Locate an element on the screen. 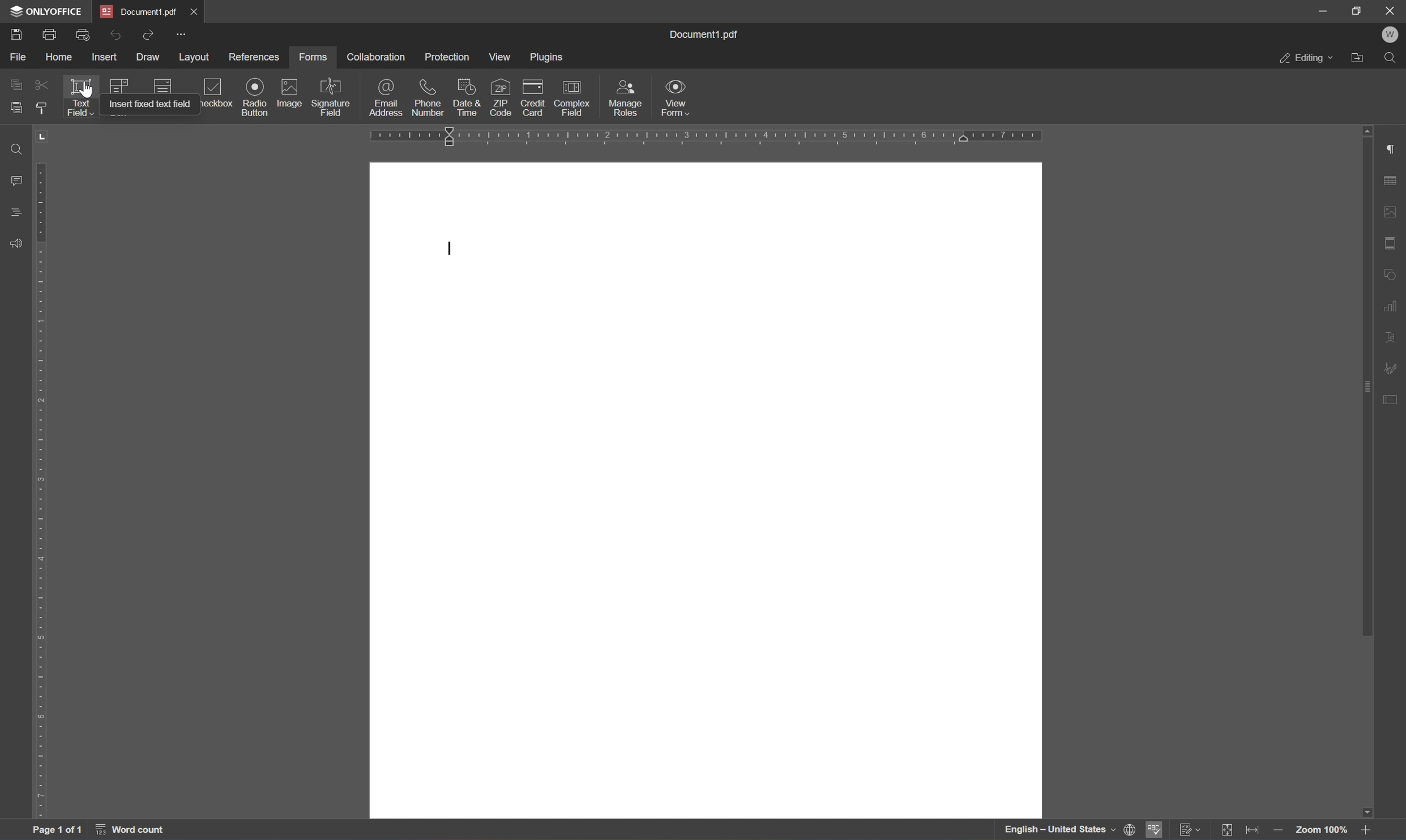 The width and height of the screenshot is (1406, 840). complex fields is located at coordinates (572, 100).